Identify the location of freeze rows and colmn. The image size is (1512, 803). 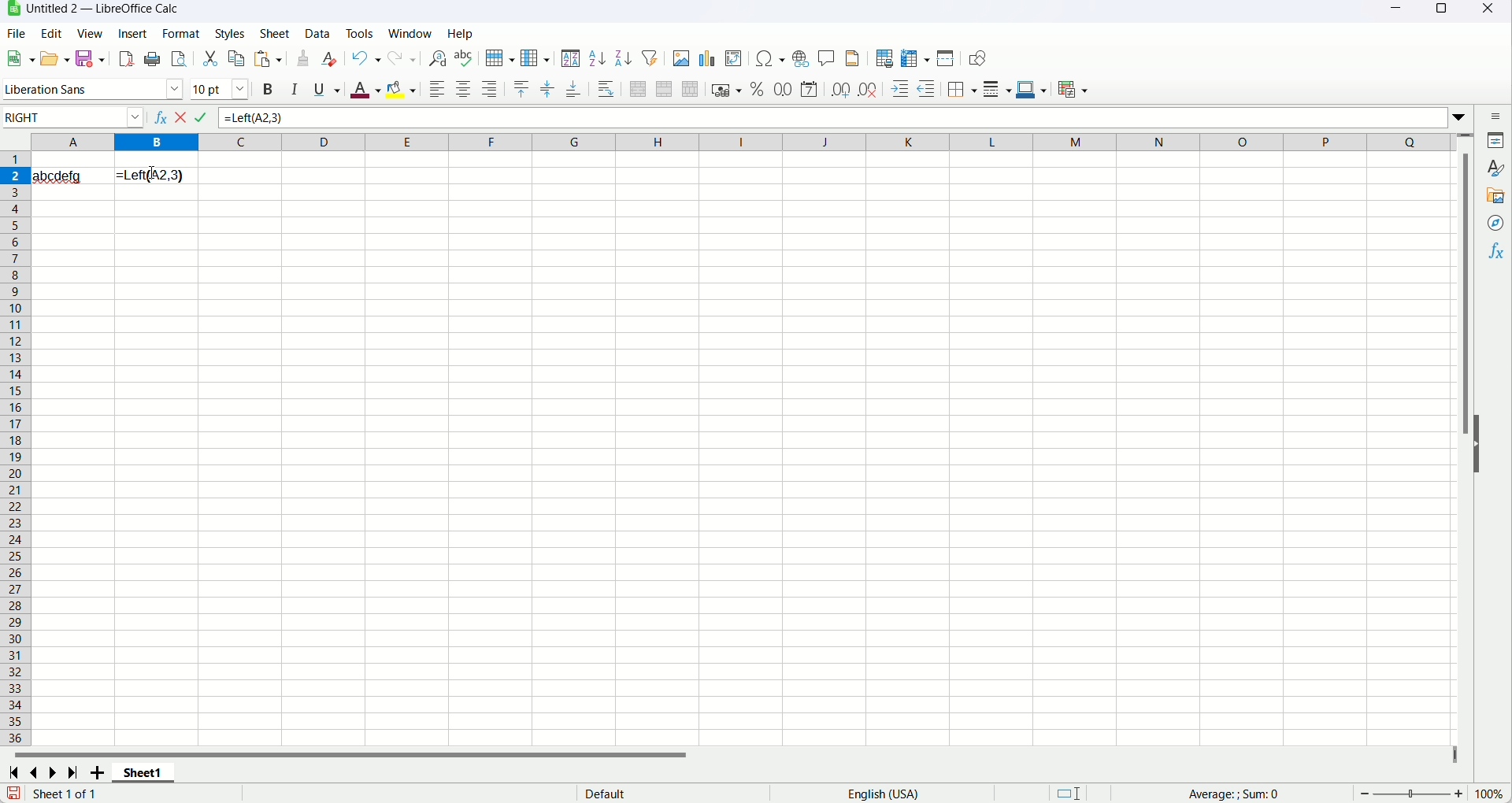
(913, 58).